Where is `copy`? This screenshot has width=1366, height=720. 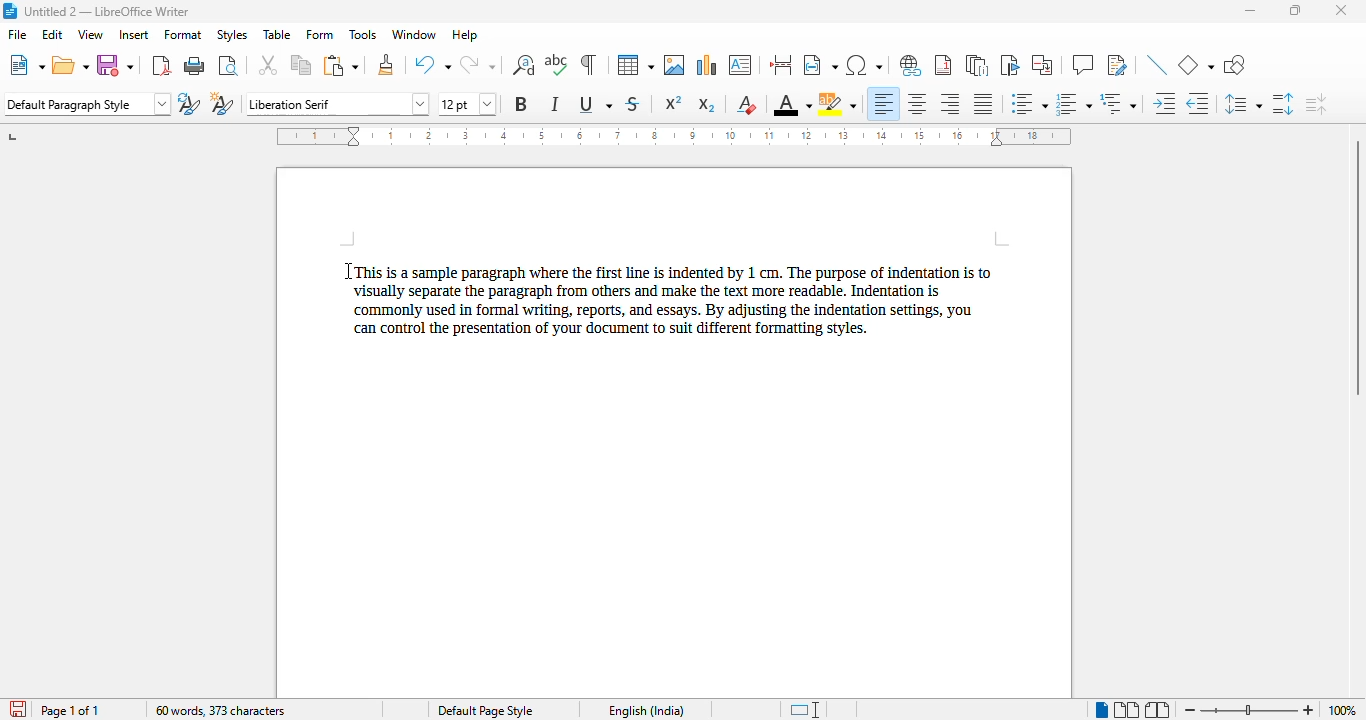
copy is located at coordinates (302, 65).